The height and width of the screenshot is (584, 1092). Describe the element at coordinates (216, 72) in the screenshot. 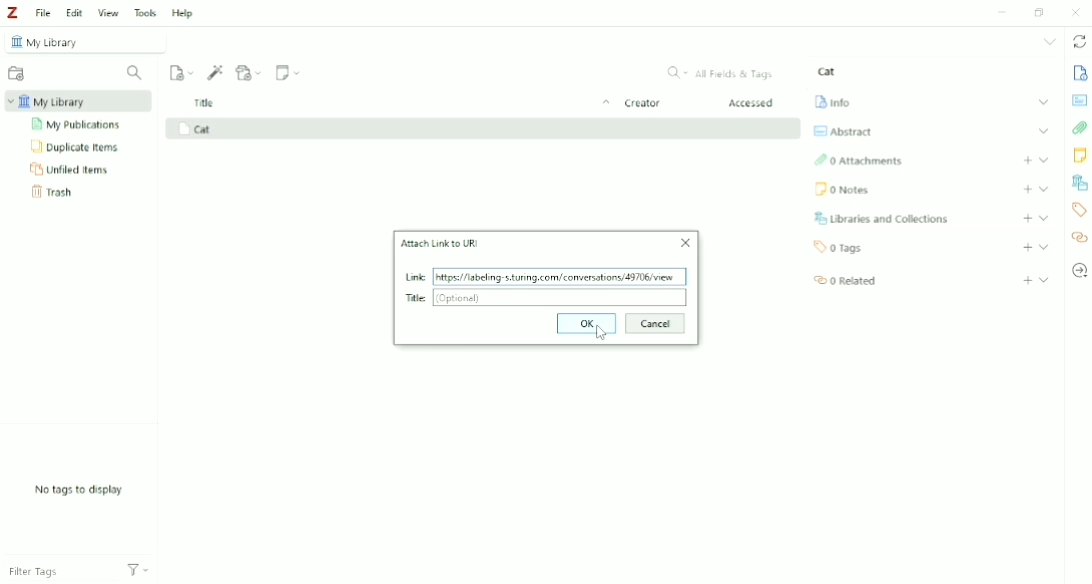

I see `Add Item (s) by Identifier` at that location.